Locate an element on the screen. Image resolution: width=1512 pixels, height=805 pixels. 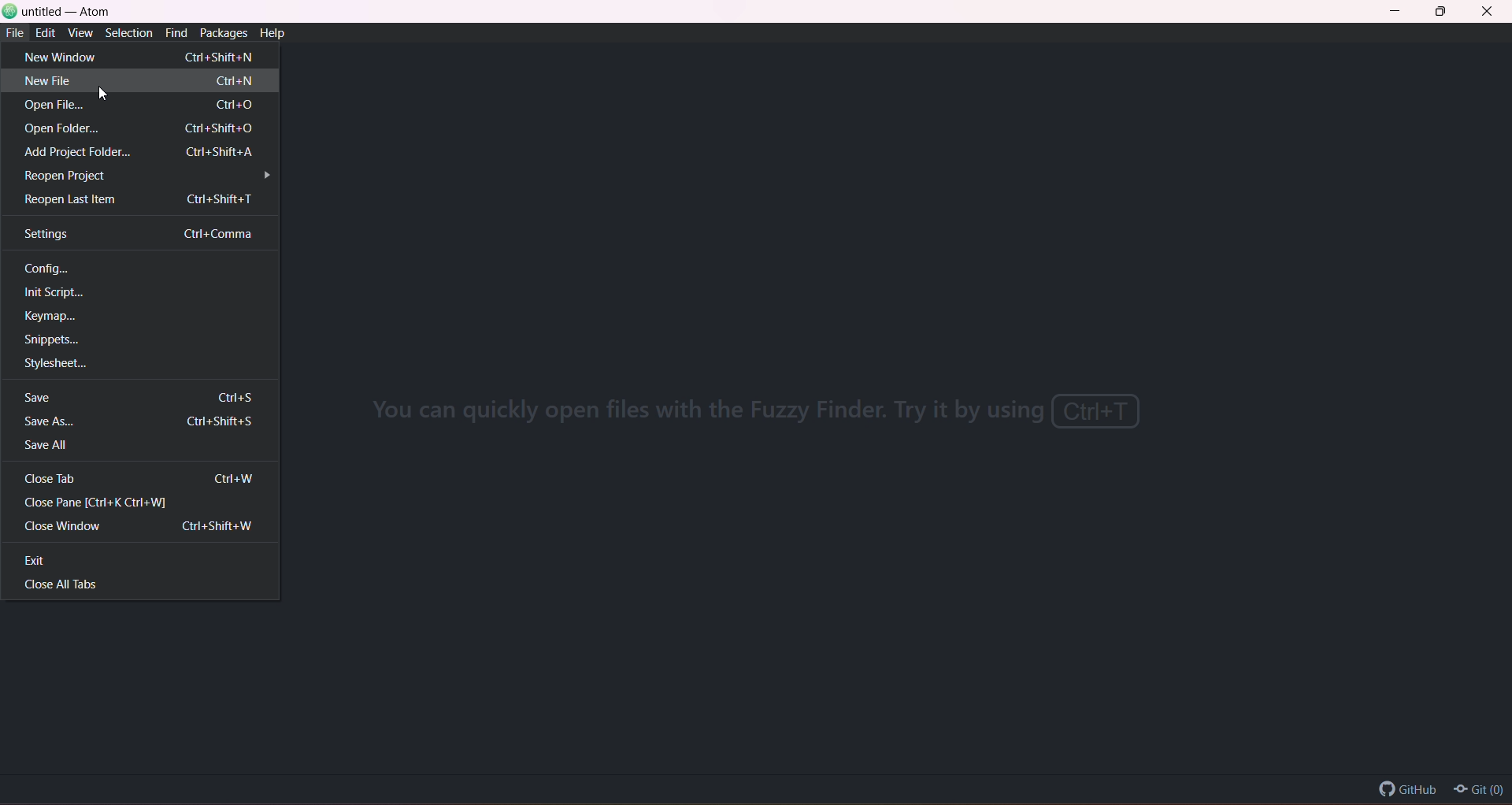
Packages is located at coordinates (224, 33).